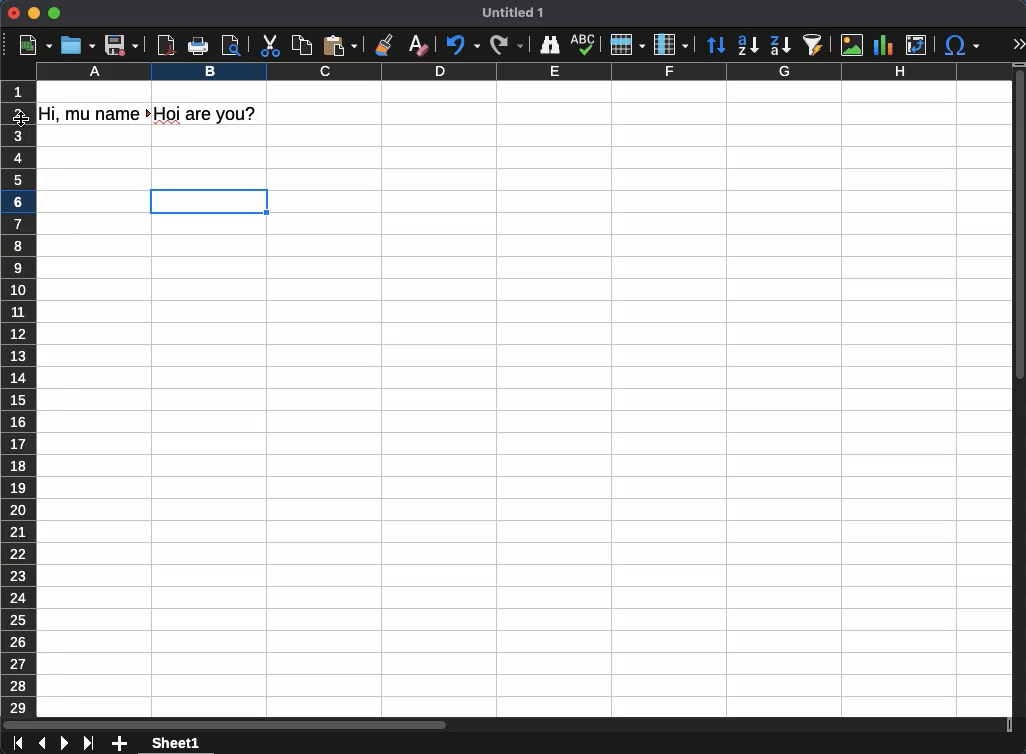 The height and width of the screenshot is (754, 1026). I want to click on cursor, so click(22, 119).